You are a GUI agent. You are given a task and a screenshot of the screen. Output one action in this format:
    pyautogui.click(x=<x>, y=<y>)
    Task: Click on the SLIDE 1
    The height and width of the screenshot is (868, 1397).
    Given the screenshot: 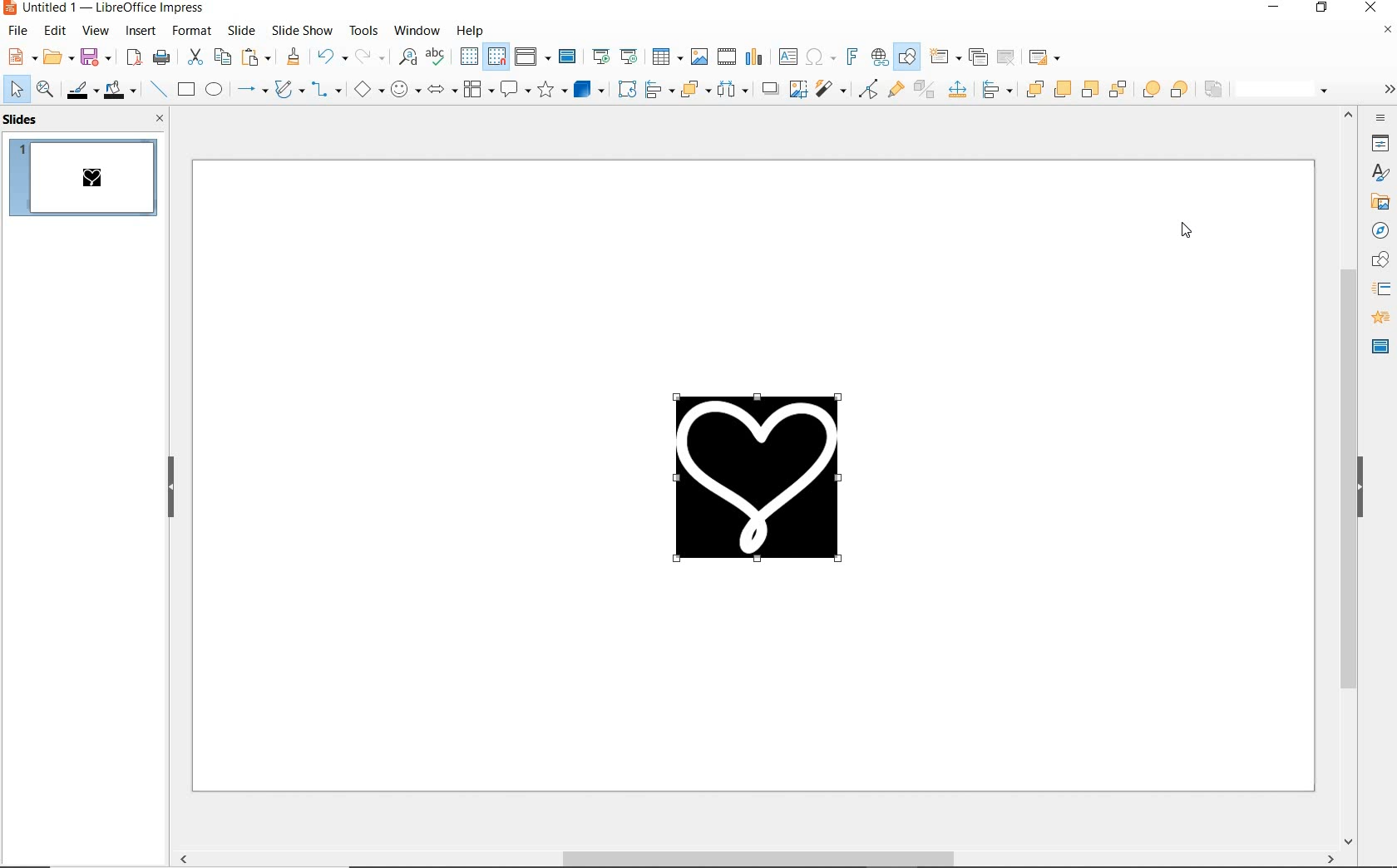 What is the action you would take?
    pyautogui.click(x=88, y=180)
    